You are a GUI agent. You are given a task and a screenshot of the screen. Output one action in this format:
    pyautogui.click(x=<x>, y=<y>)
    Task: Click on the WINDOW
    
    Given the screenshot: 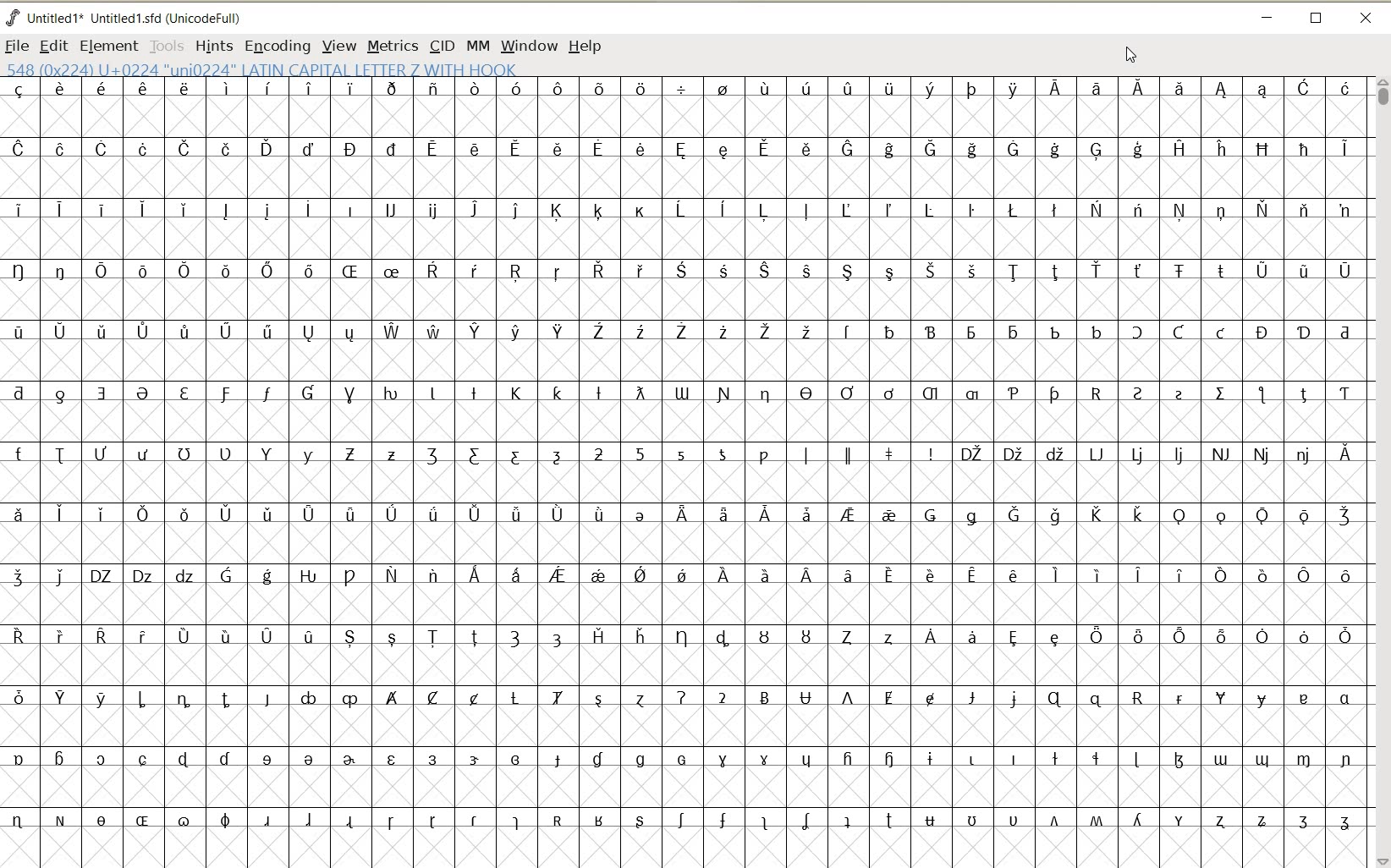 What is the action you would take?
    pyautogui.click(x=530, y=47)
    